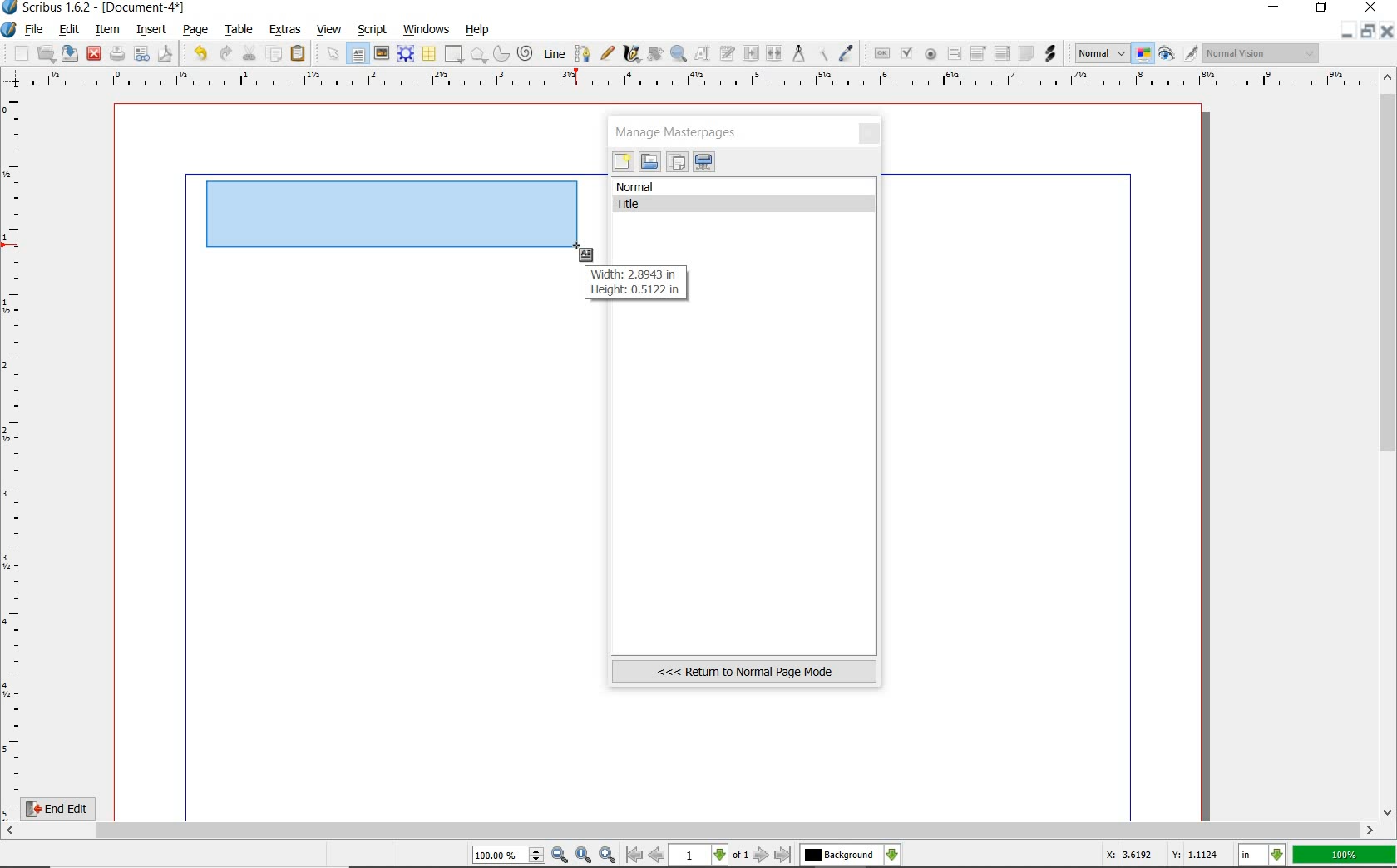 This screenshot has height=868, width=1397. What do you see at coordinates (236, 29) in the screenshot?
I see `table` at bounding box center [236, 29].